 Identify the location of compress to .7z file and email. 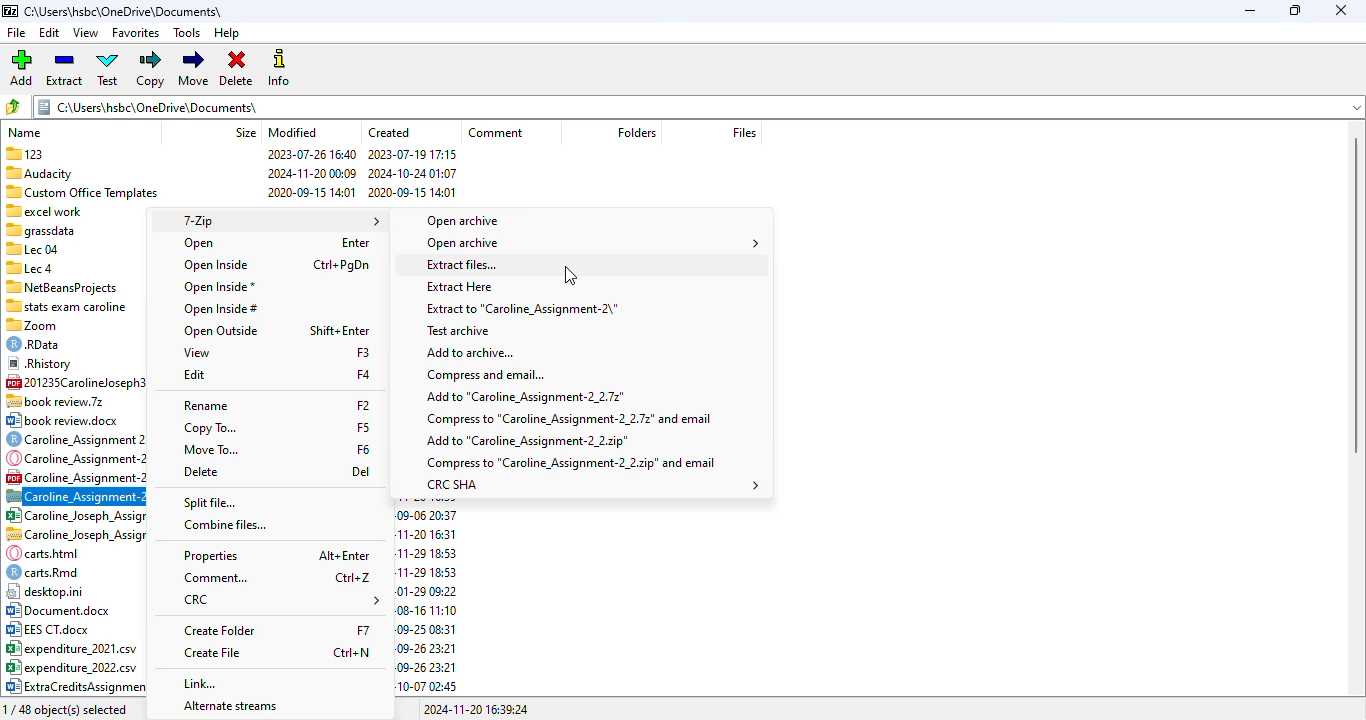
(567, 419).